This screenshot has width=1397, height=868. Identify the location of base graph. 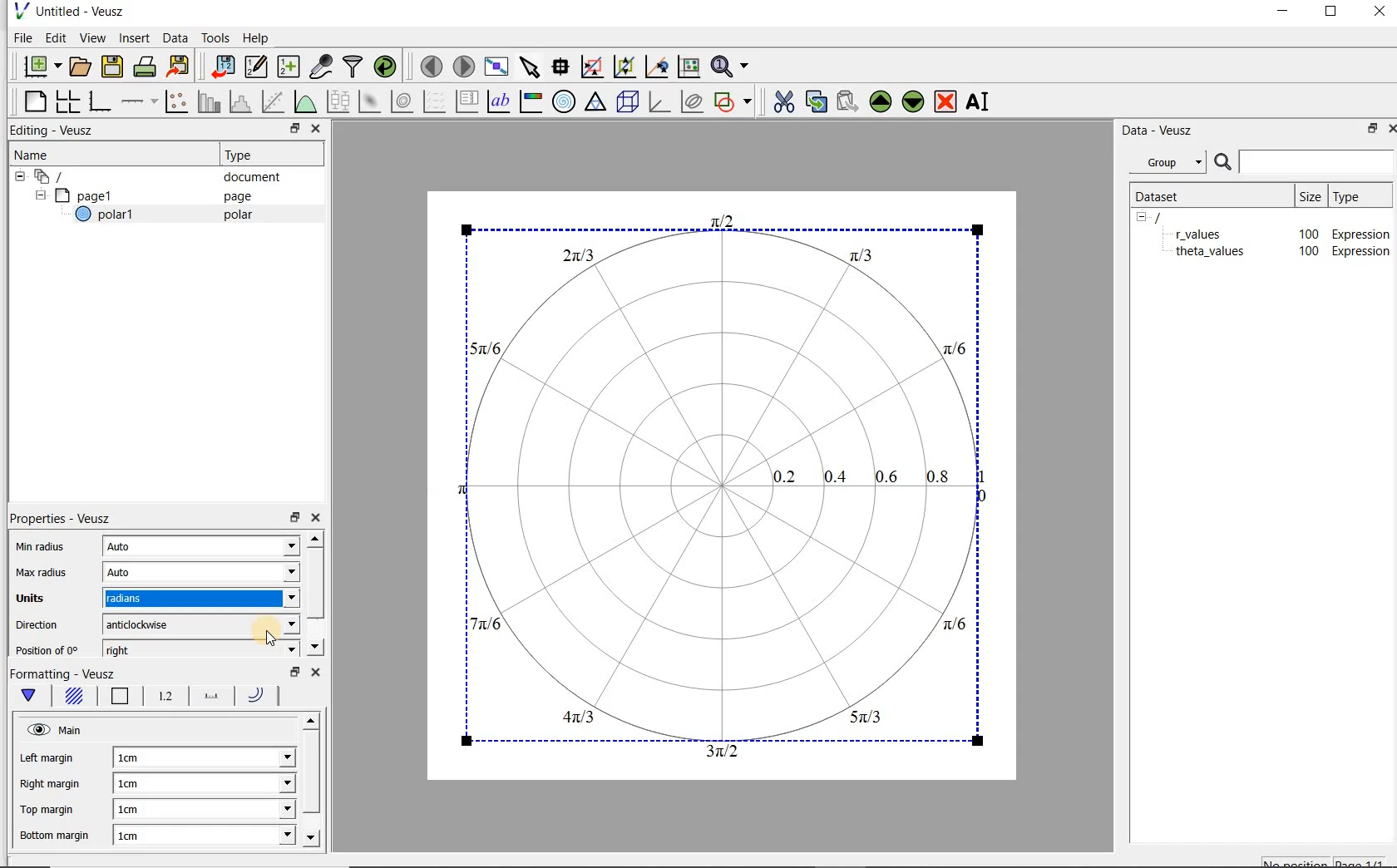
(99, 102).